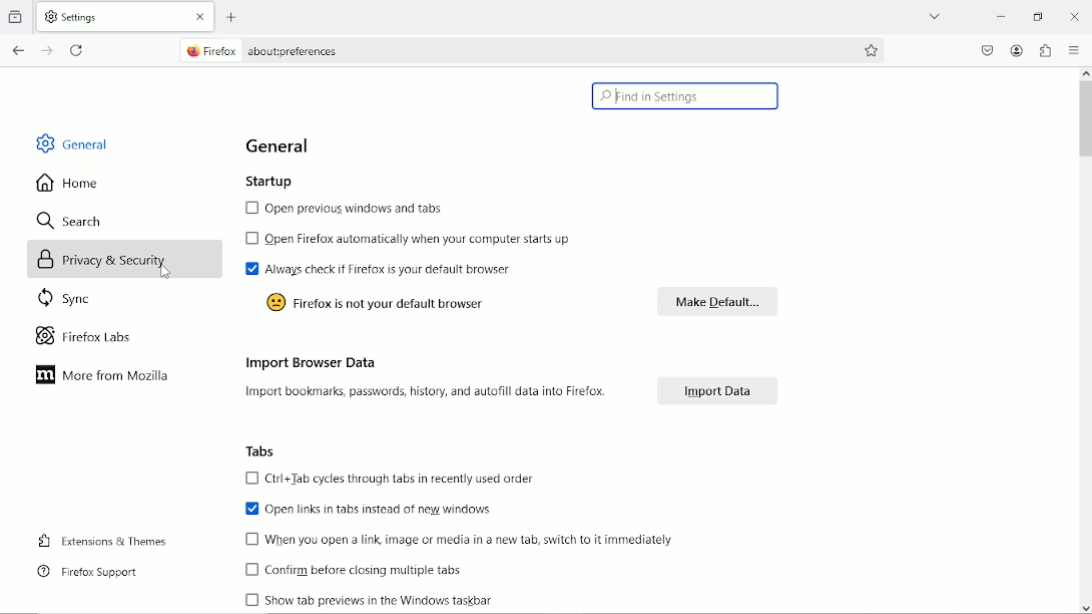 The image size is (1092, 614). What do you see at coordinates (66, 300) in the screenshot?
I see `sync` at bounding box center [66, 300].